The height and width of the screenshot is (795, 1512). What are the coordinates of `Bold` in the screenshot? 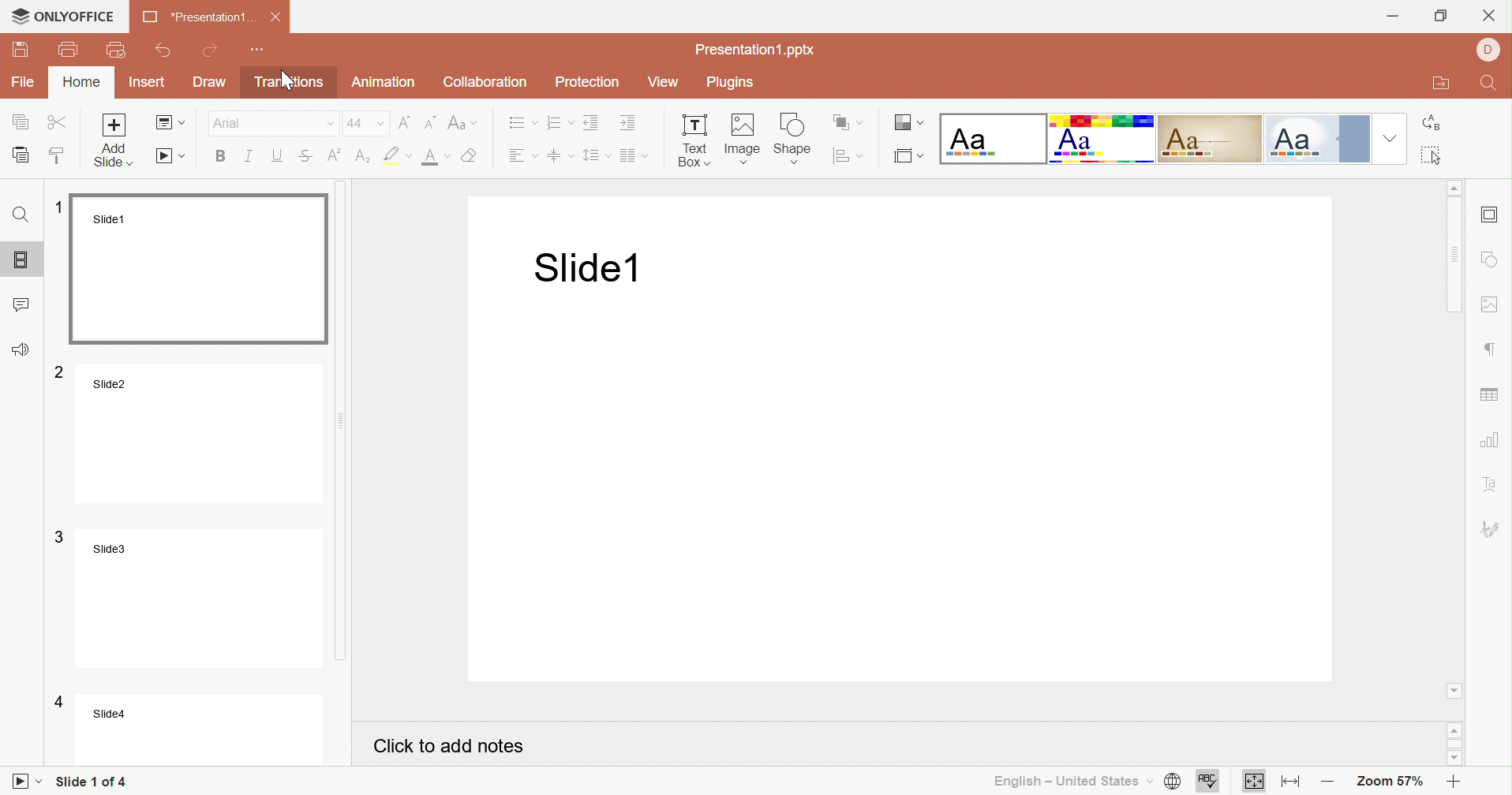 It's located at (220, 158).